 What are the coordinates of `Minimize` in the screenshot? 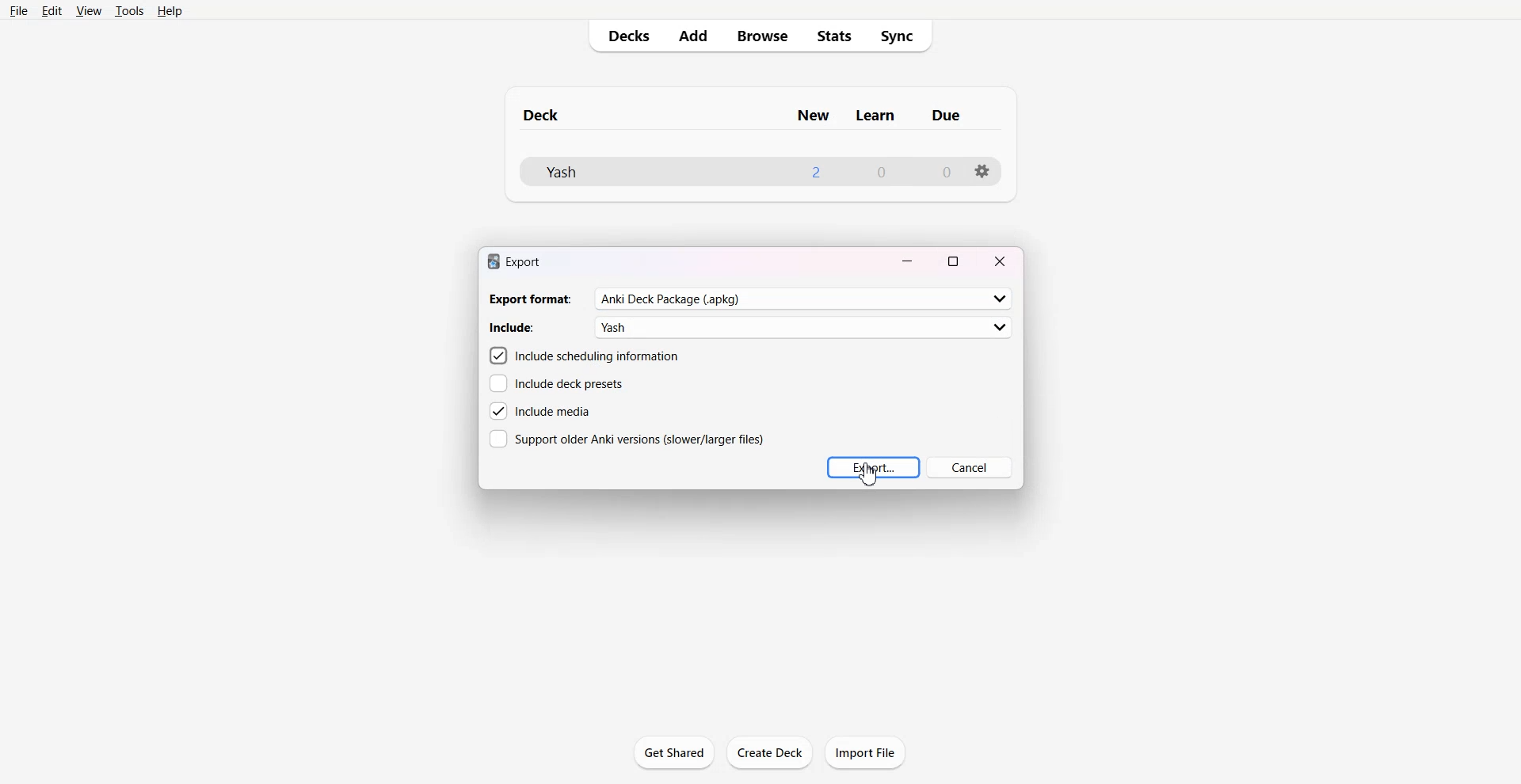 It's located at (909, 259).